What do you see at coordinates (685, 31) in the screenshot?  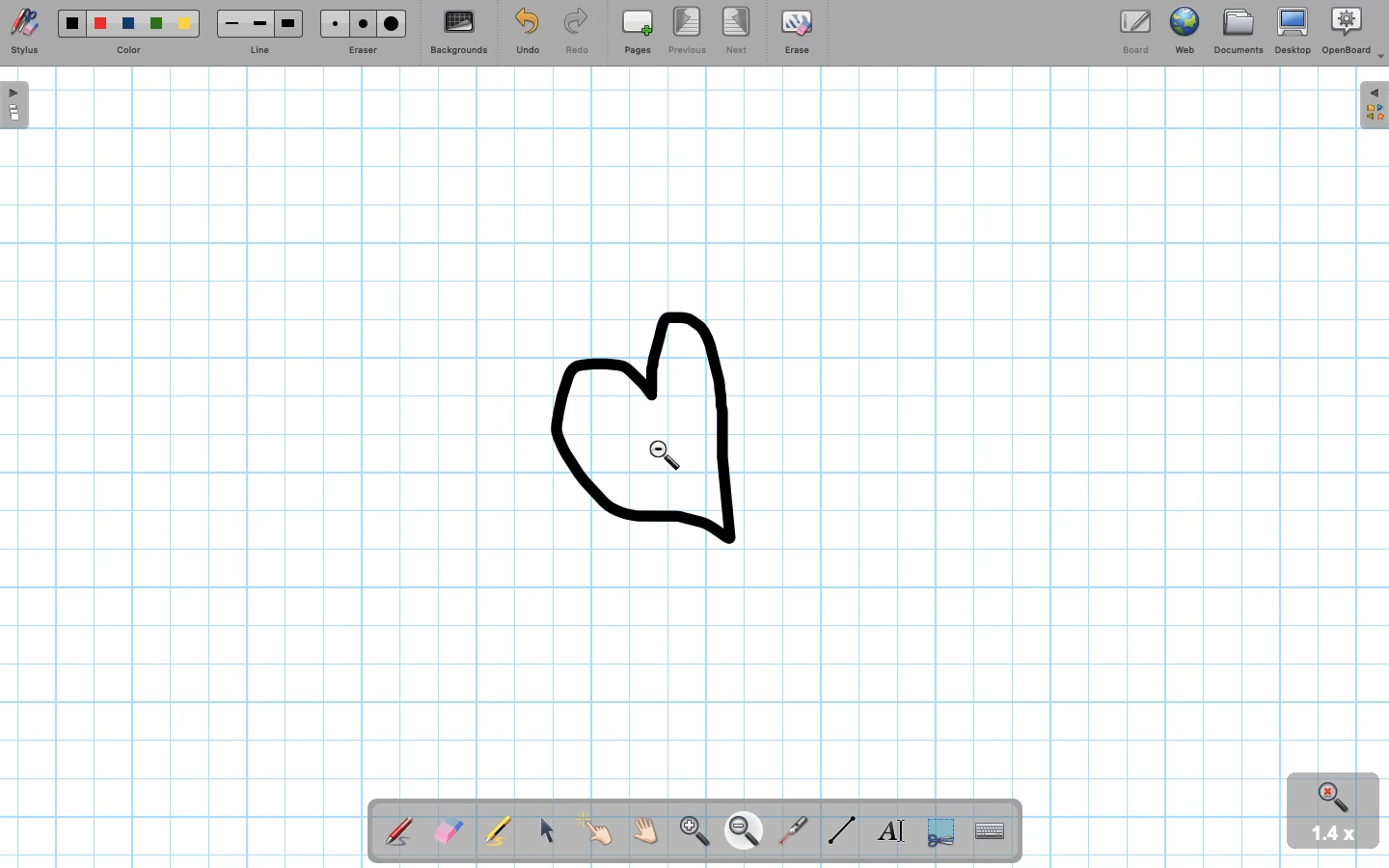 I see `Previous` at bounding box center [685, 31].